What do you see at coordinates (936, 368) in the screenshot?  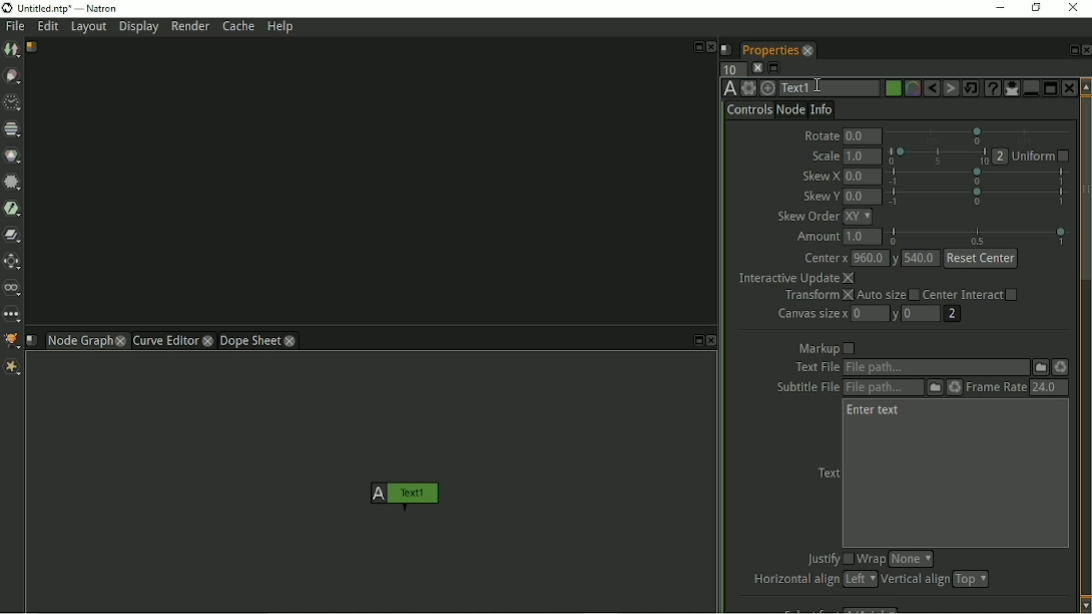 I see `file path` at bounding box center [936, 368].